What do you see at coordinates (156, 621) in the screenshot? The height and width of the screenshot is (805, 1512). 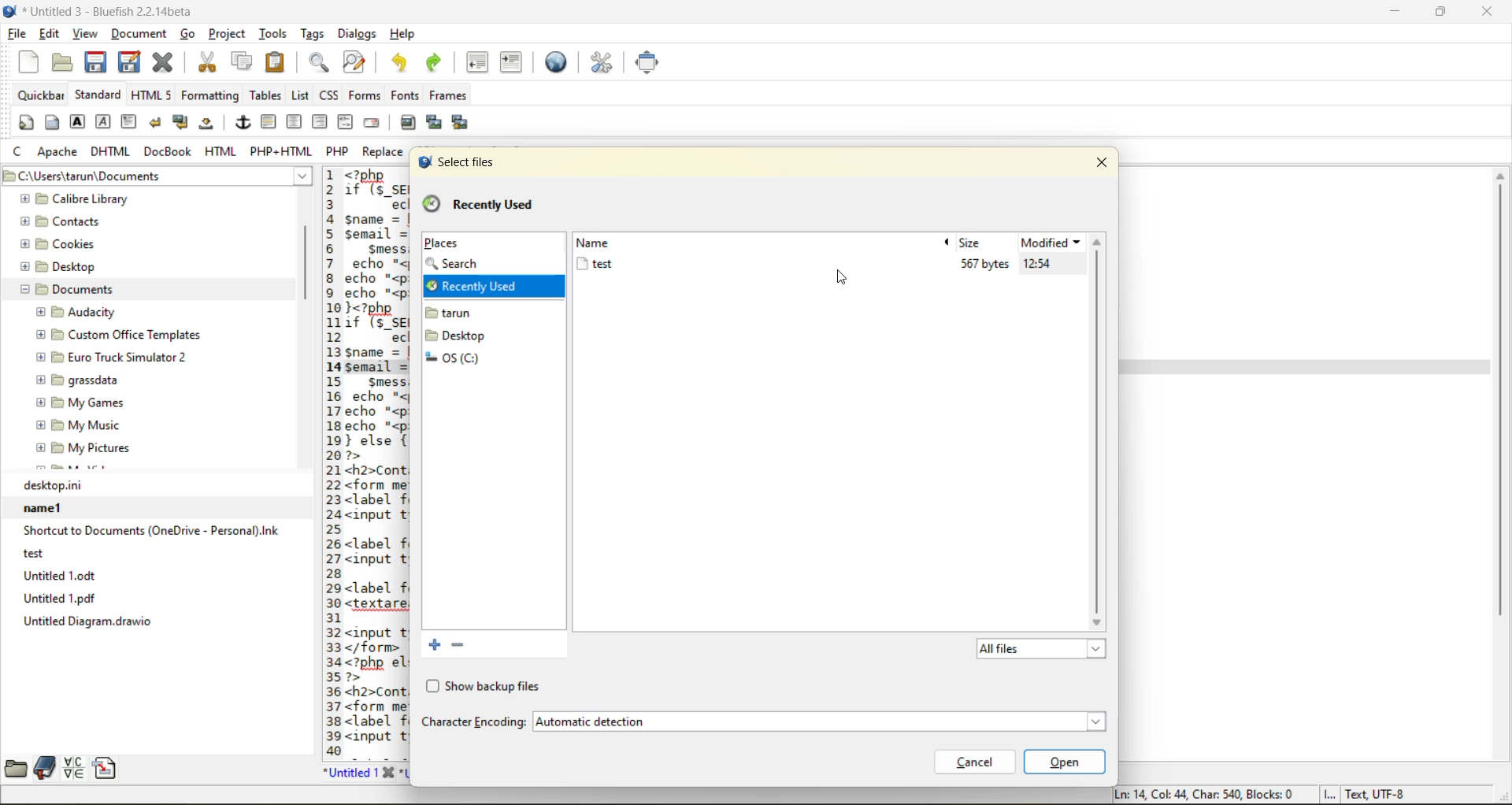 I see `untitle diagram.drawio` at bounding box center [156, 621].